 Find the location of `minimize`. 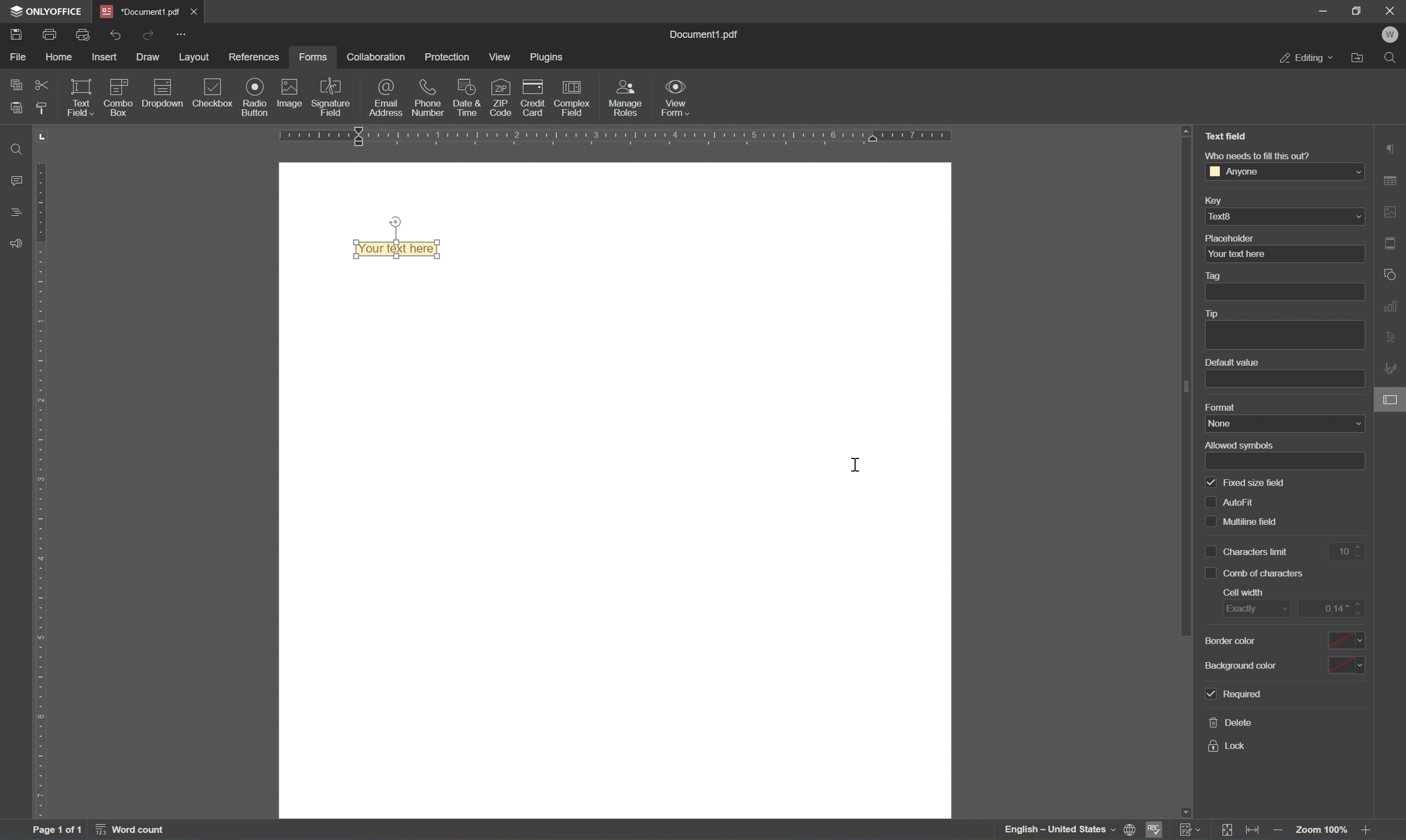

minimize is located at coordinates (1324, 8).